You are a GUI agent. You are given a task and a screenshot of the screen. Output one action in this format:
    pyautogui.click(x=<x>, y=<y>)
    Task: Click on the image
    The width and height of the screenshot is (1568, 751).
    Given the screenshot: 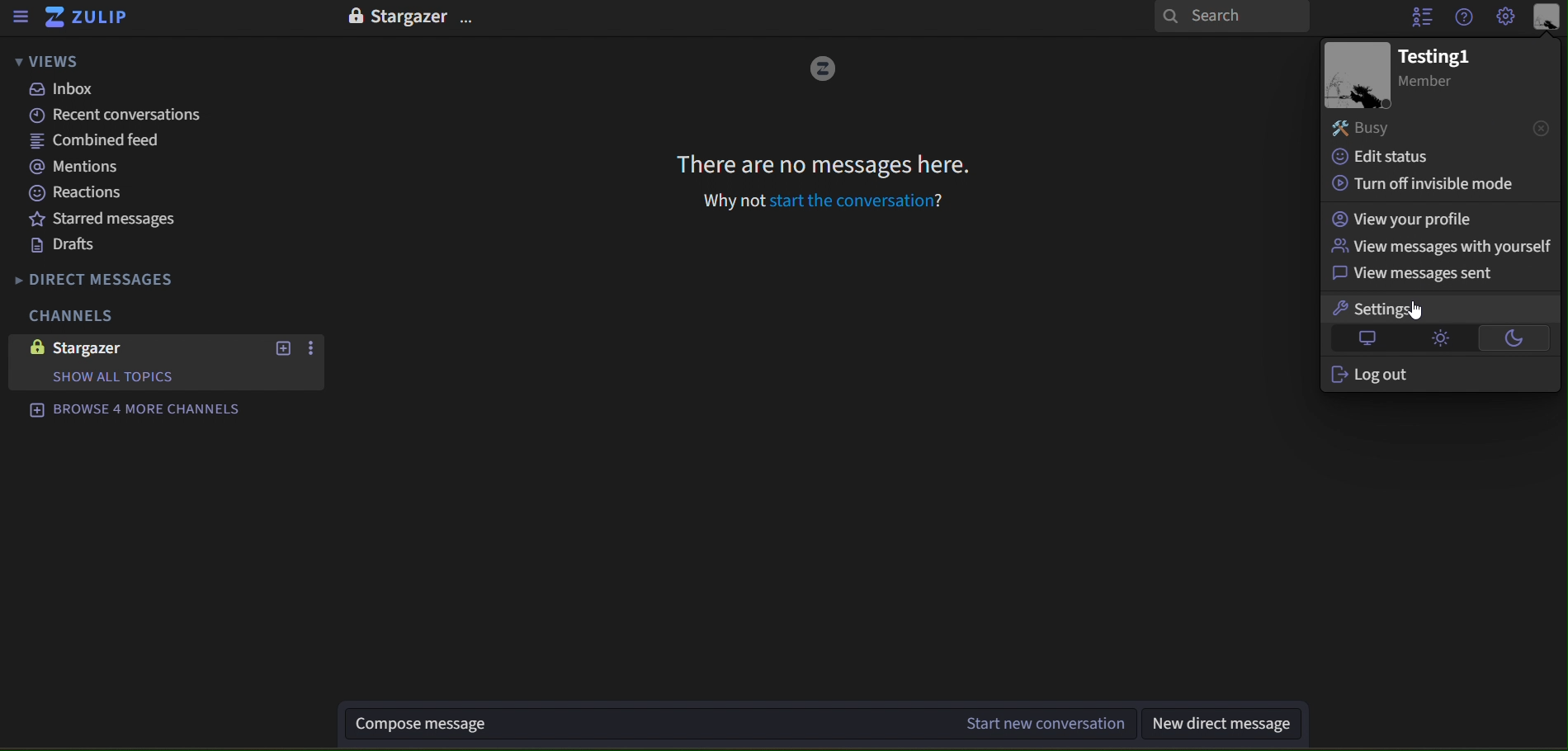 What is the action you would take?
    pyautogui.click(x=824, y=69)
    